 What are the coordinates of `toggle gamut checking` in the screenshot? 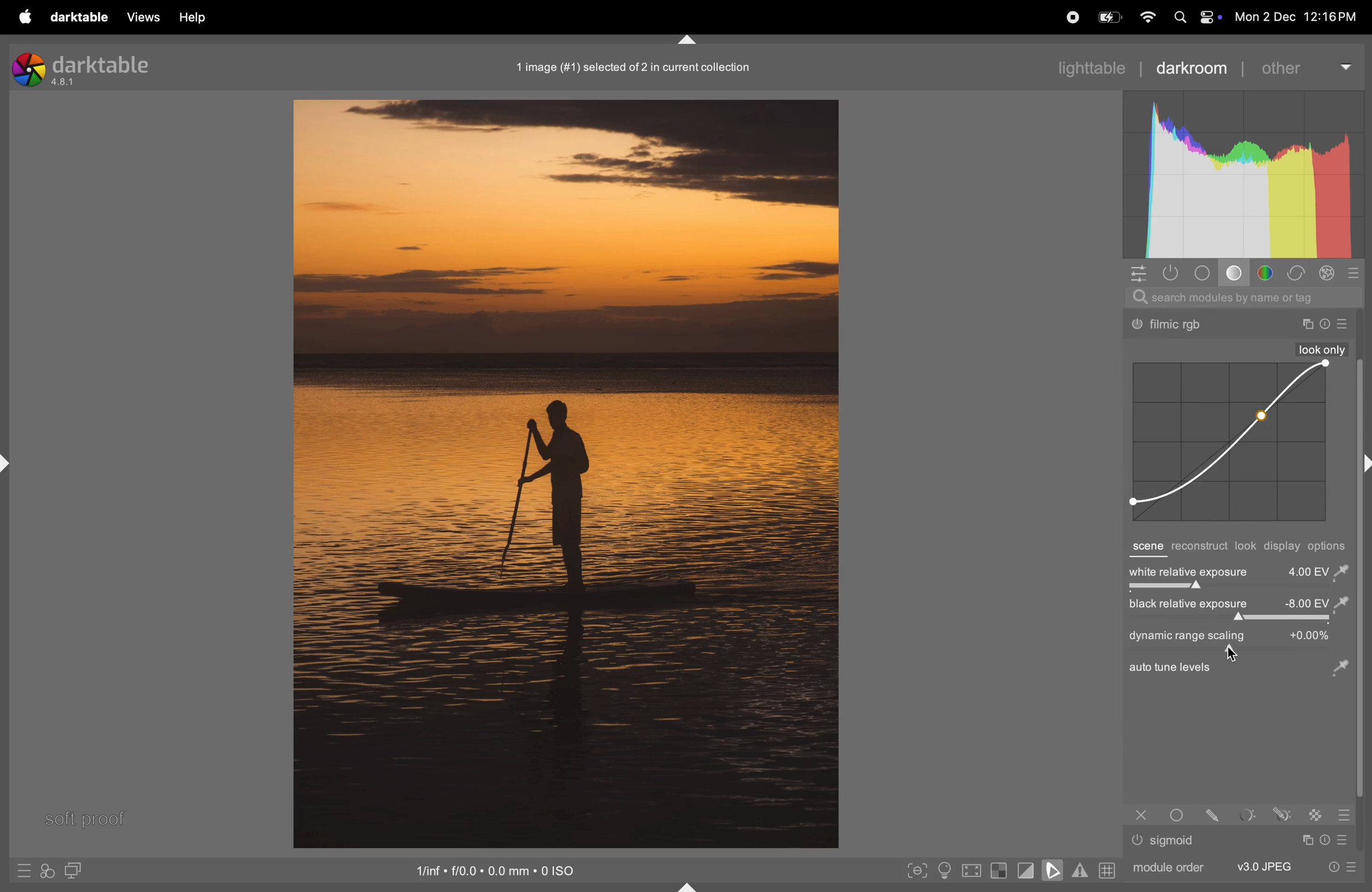 It's located at (1080, 870).